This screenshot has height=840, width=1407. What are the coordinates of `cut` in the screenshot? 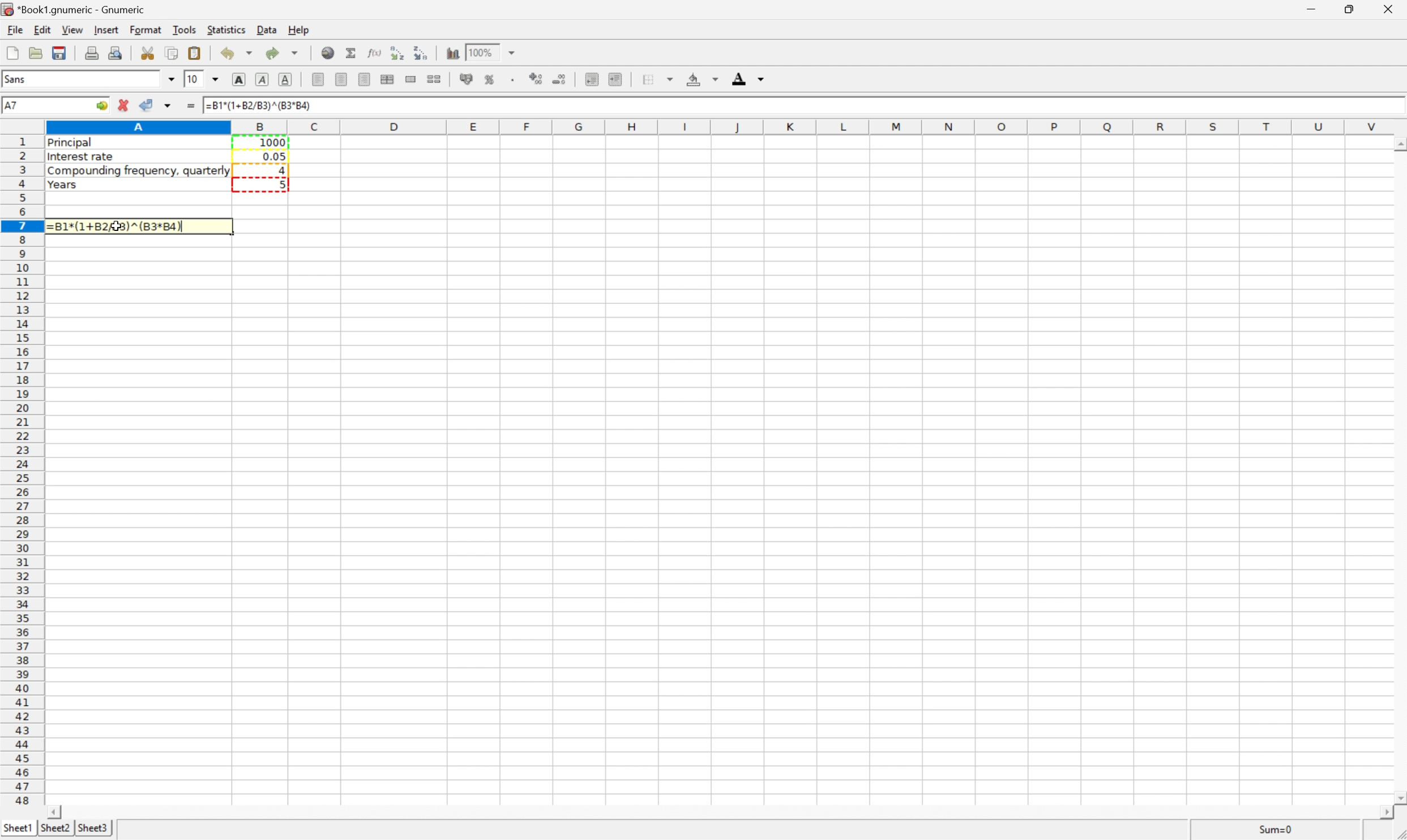 It's located at (147, 53).